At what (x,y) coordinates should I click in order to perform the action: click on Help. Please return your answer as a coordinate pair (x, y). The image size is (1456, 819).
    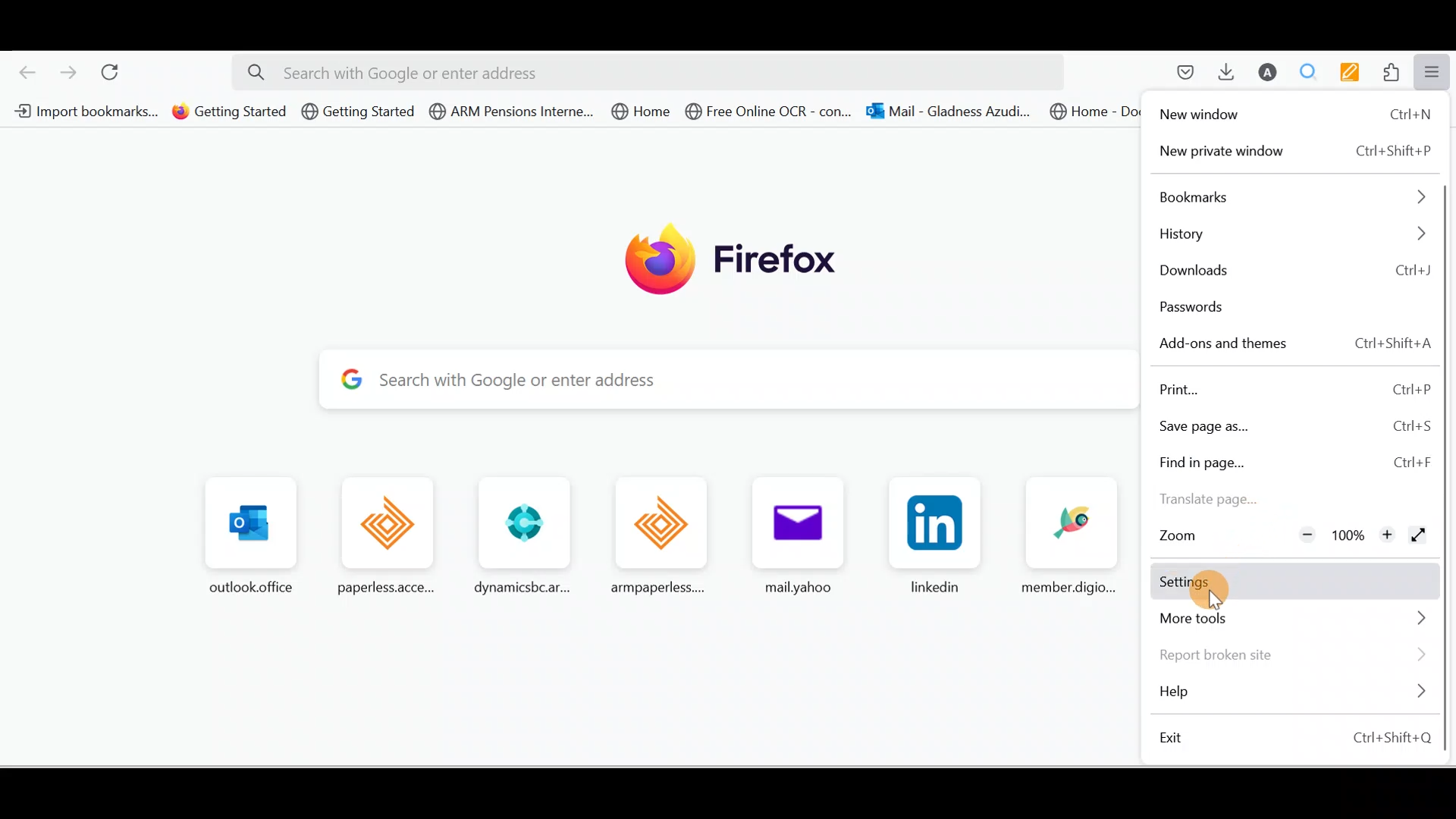
    Looking at the image, I should click on (1291, 692).